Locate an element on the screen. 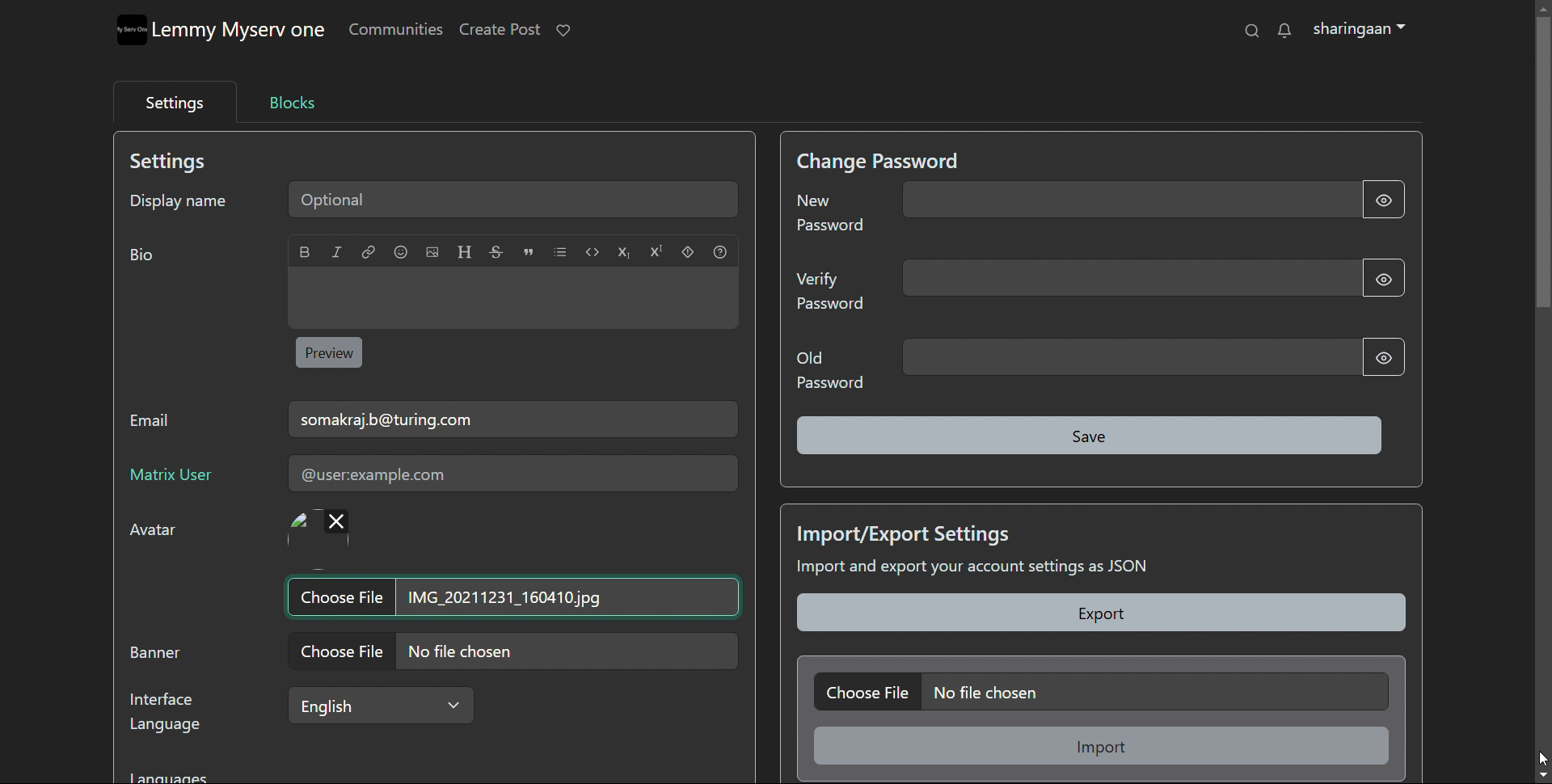 This screenshot has width=1552, height=784. Interface Language is located at coordinates (173, 719).